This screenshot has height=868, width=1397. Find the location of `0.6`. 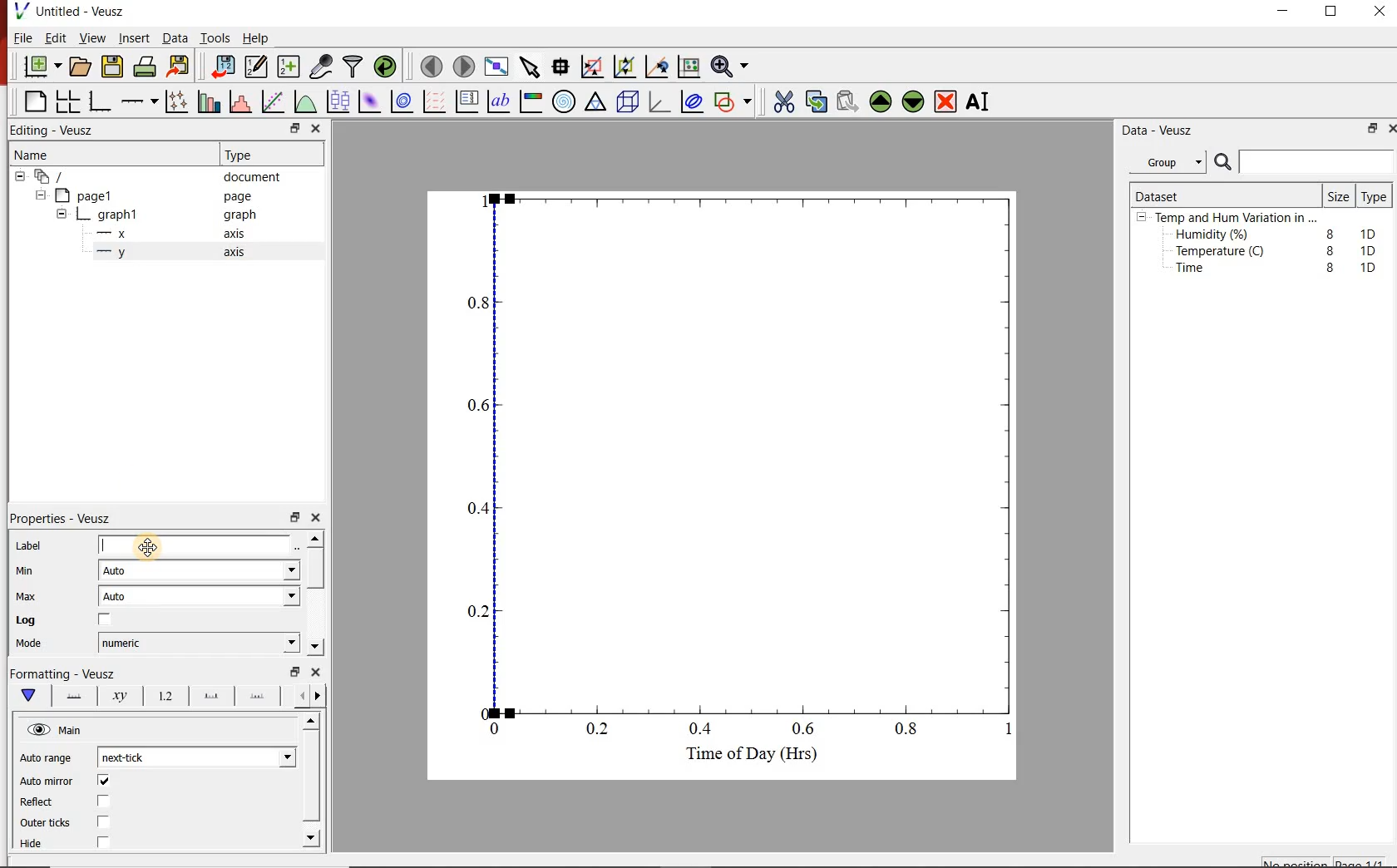

0.6 is located at coordinates (804, 728).